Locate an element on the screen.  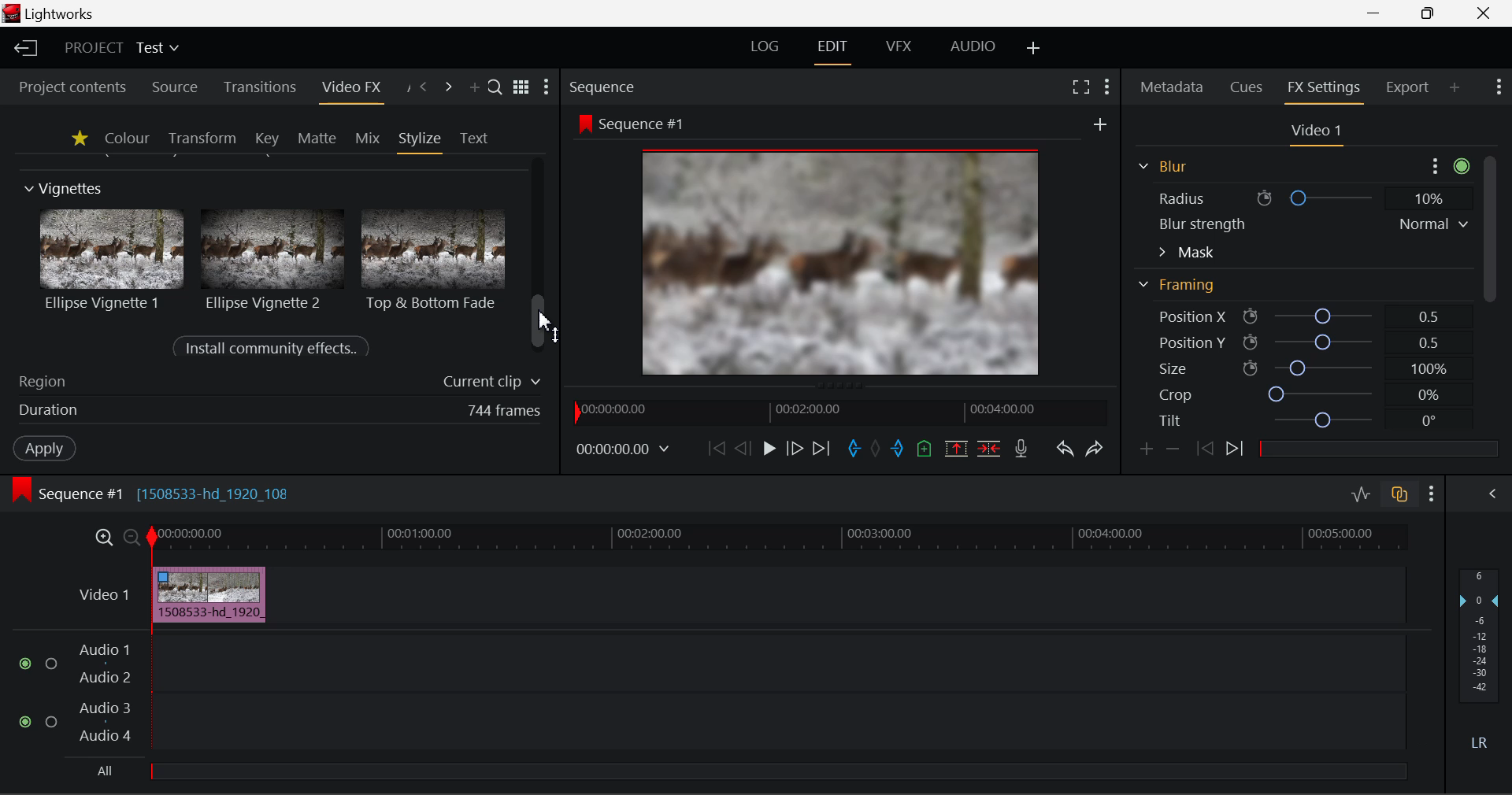
Toggle audio levels editing is located at coordinates (1360, 493).